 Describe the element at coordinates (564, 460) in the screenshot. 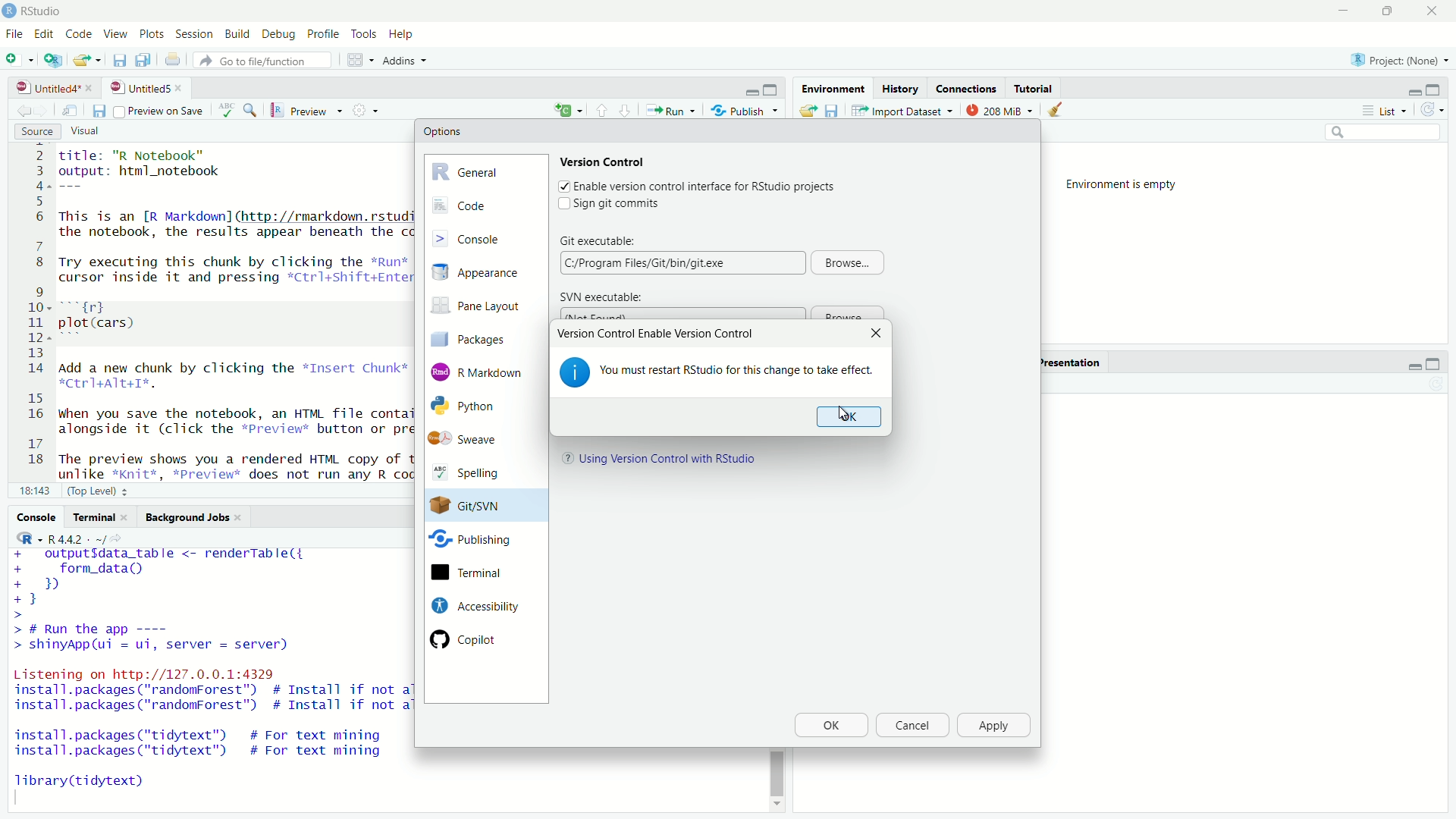

I see `?` at that location.